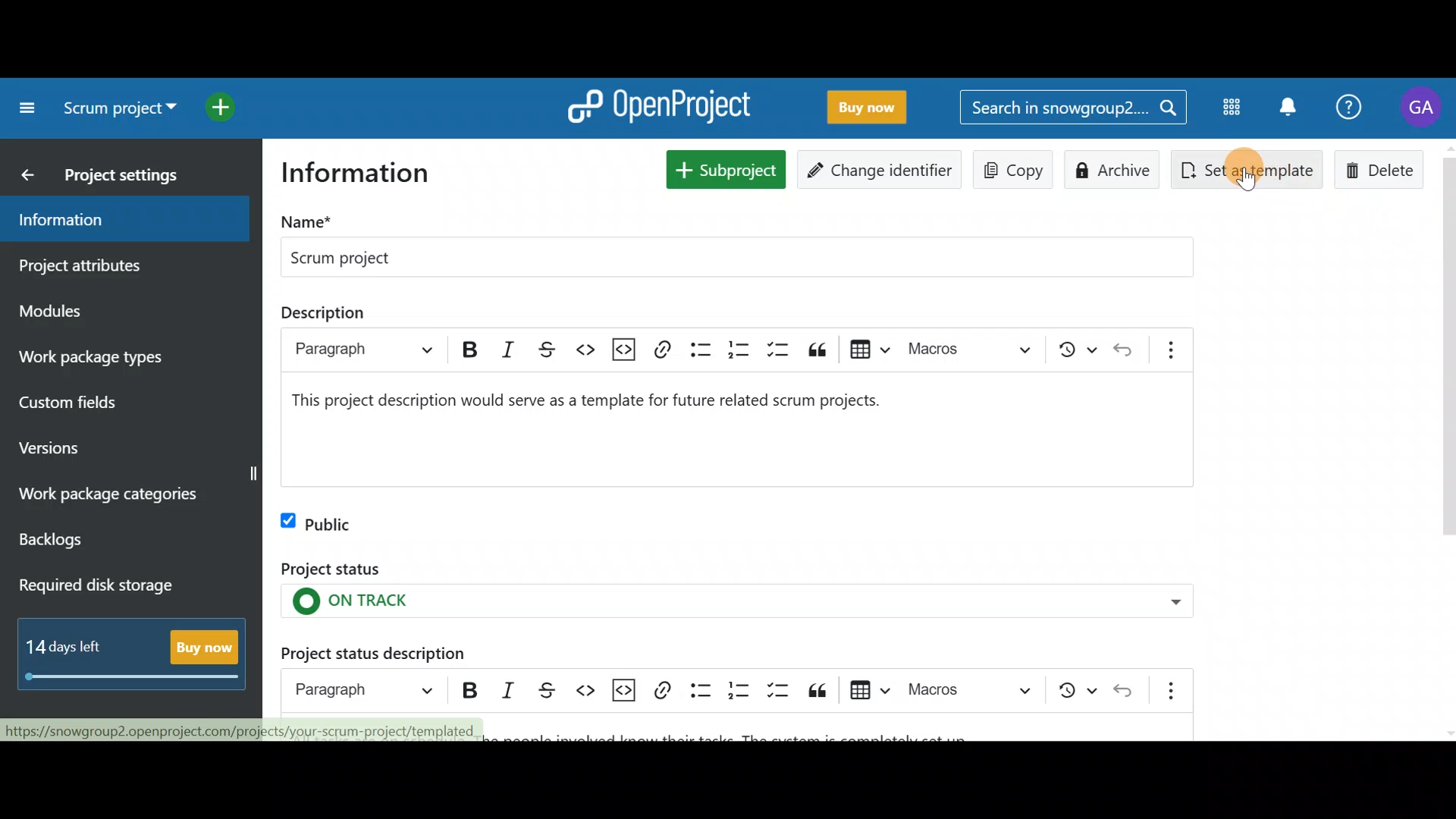 The width and height of the screenshot is (1456, 819). I want to click on bulleted list, so click(700, 350).